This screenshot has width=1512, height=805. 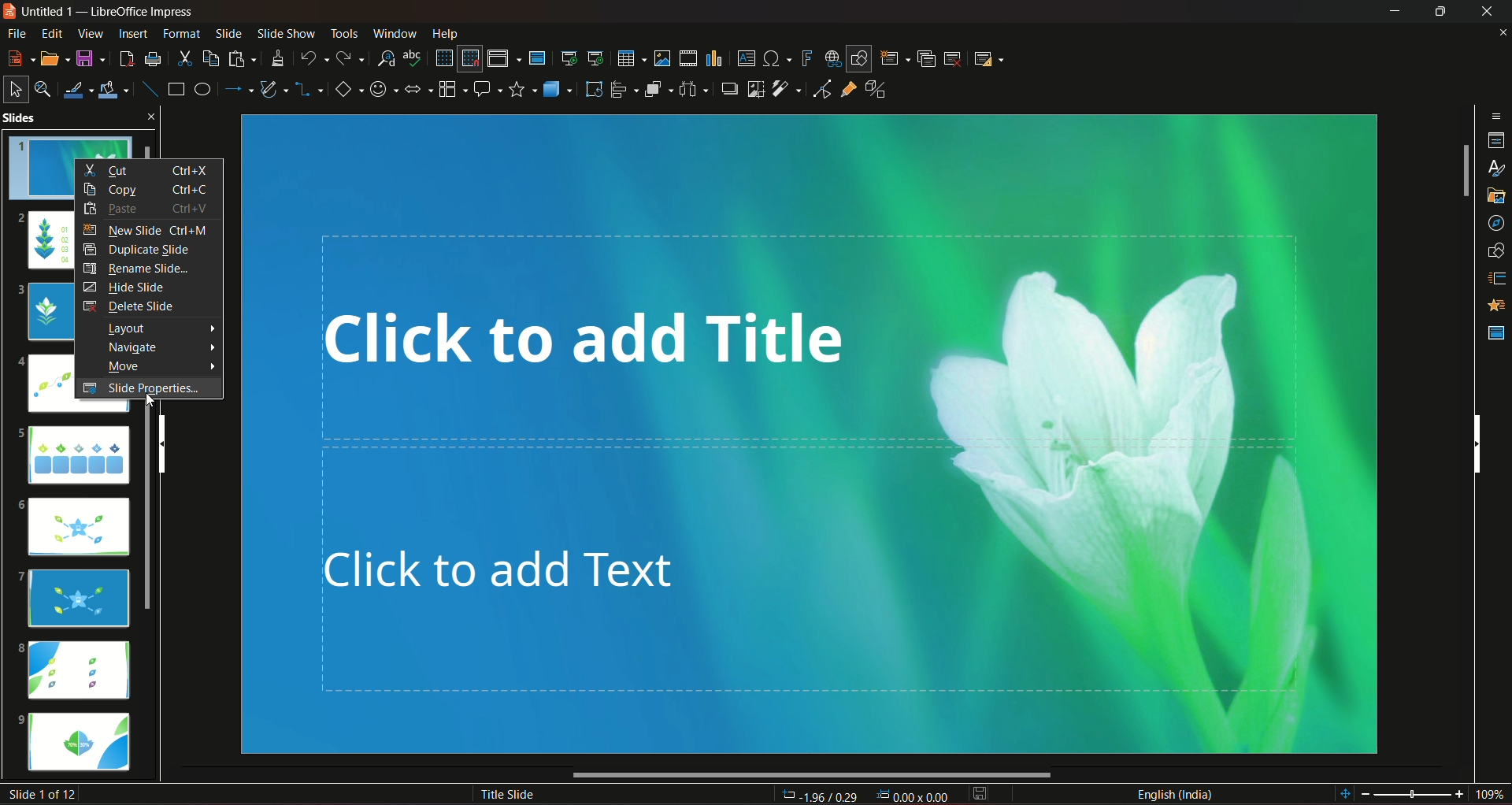 What do you see at coordinates (88, 34) in the screenshot?
I see `view` at bounding box center [88, 34].